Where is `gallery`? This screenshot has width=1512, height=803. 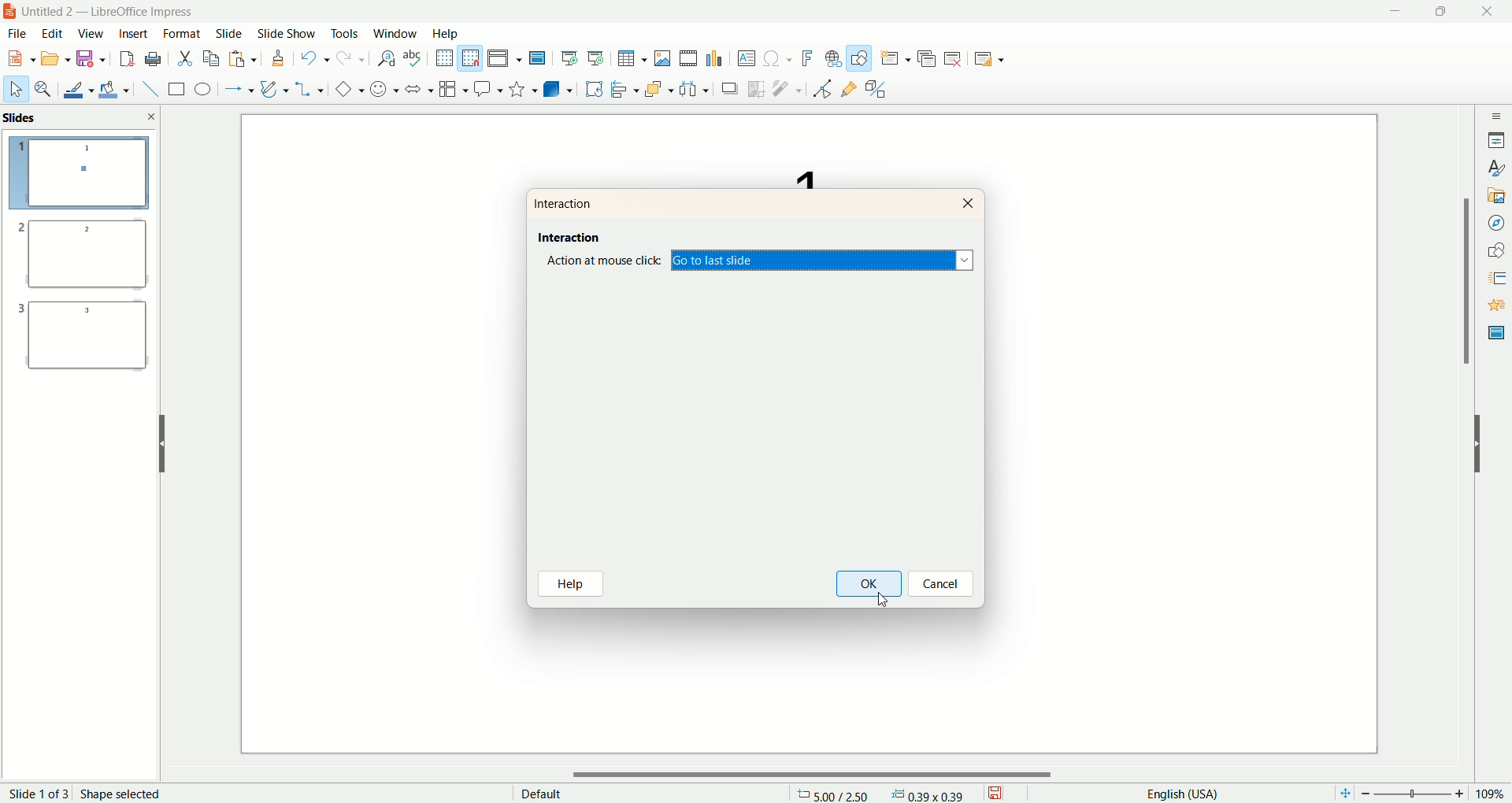
gallery is located at coordinates (1496, 195).